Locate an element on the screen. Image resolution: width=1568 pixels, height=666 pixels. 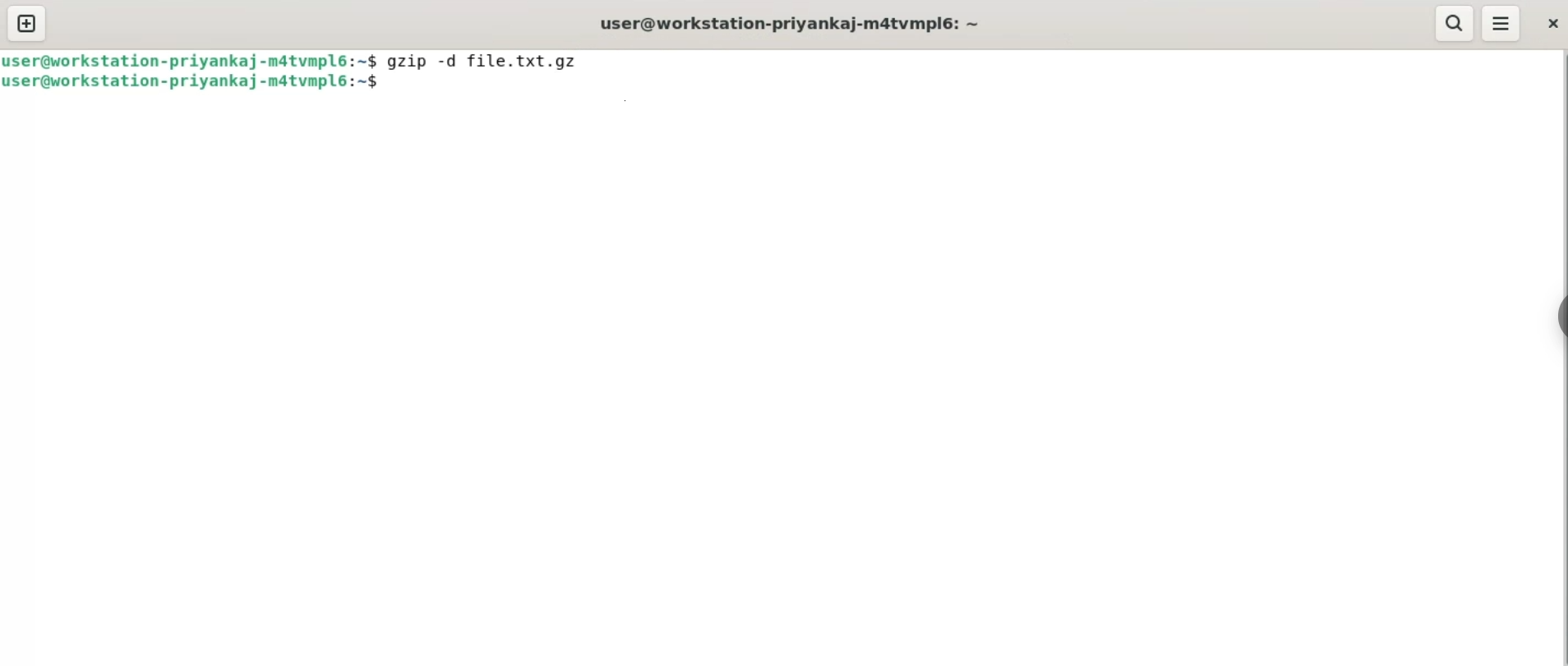
close is located at coordinates (1553, 23).